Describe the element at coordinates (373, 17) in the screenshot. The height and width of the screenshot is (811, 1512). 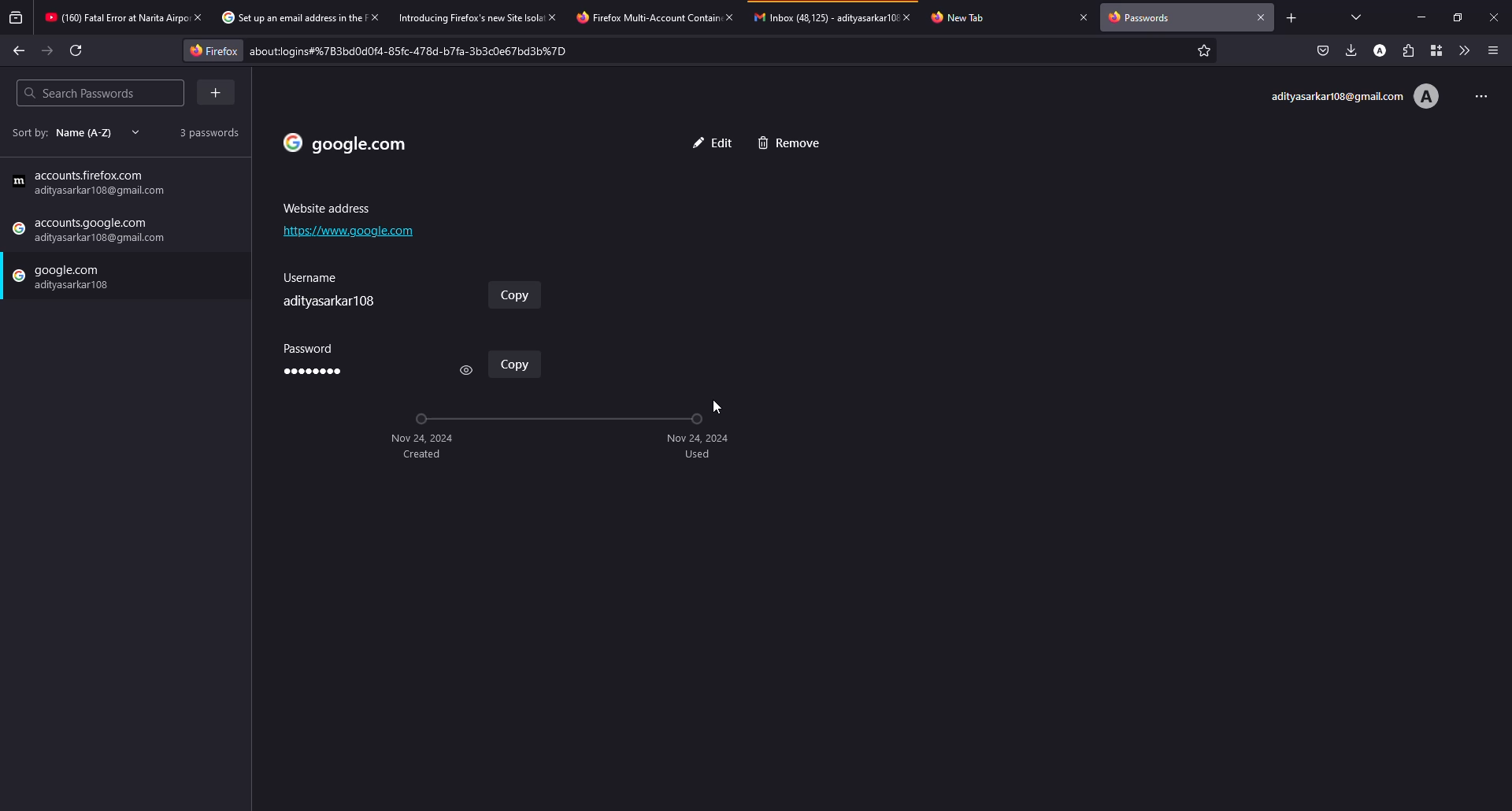
I see `close` at that location.